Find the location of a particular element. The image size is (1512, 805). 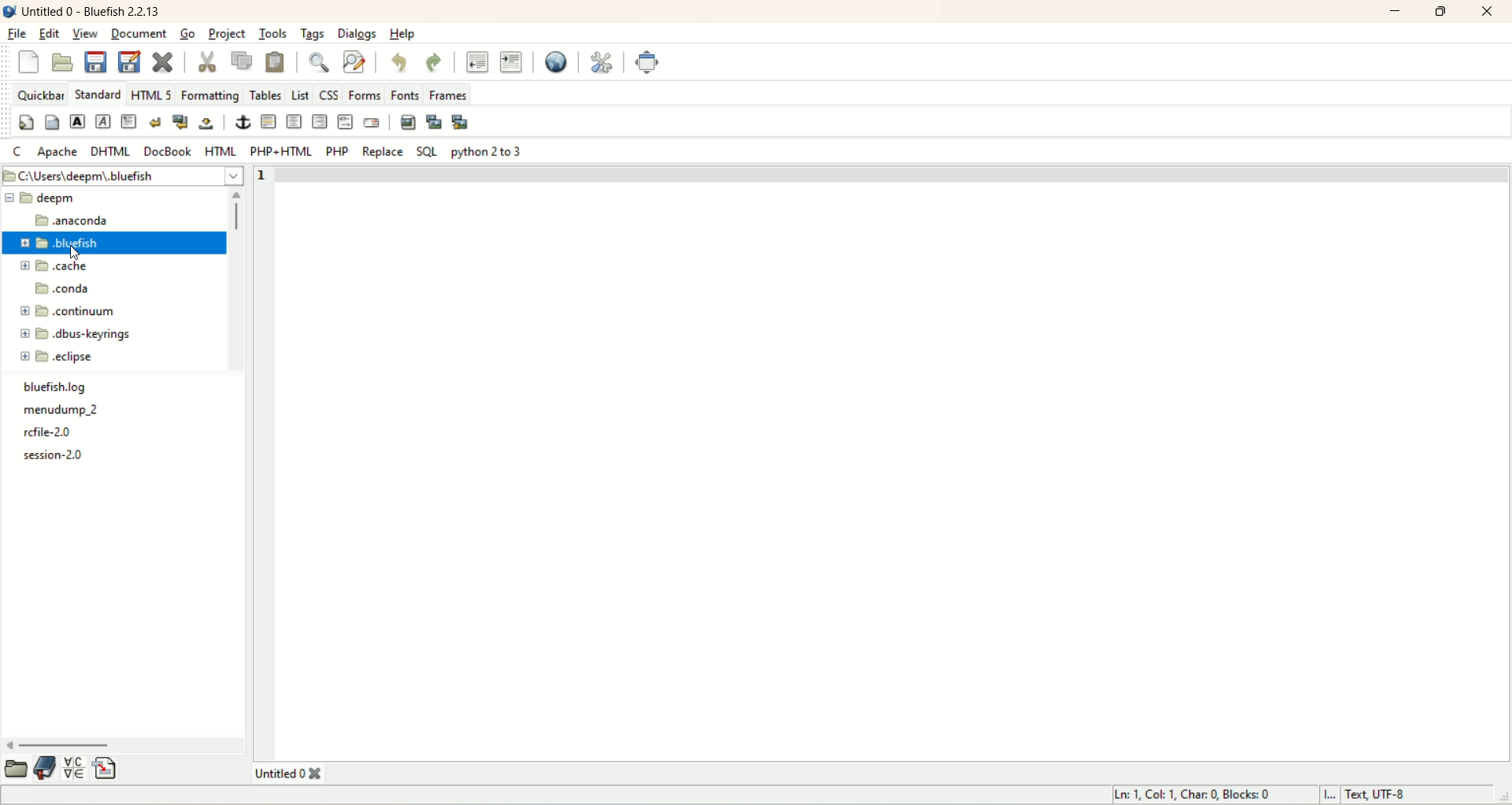

text is located at coordinates (62, 426).